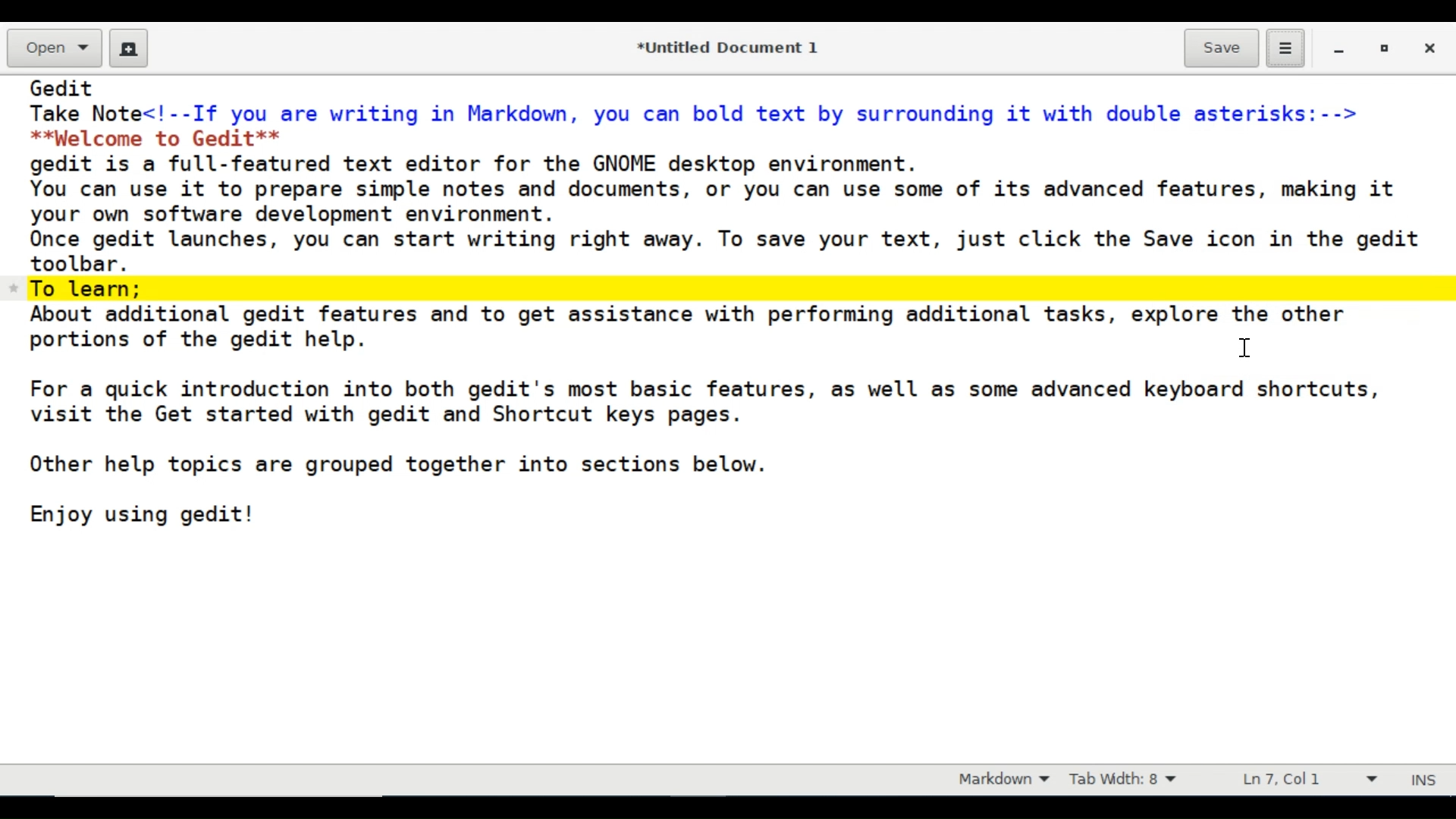  I want to click on Create a new document, so click(130, 49).